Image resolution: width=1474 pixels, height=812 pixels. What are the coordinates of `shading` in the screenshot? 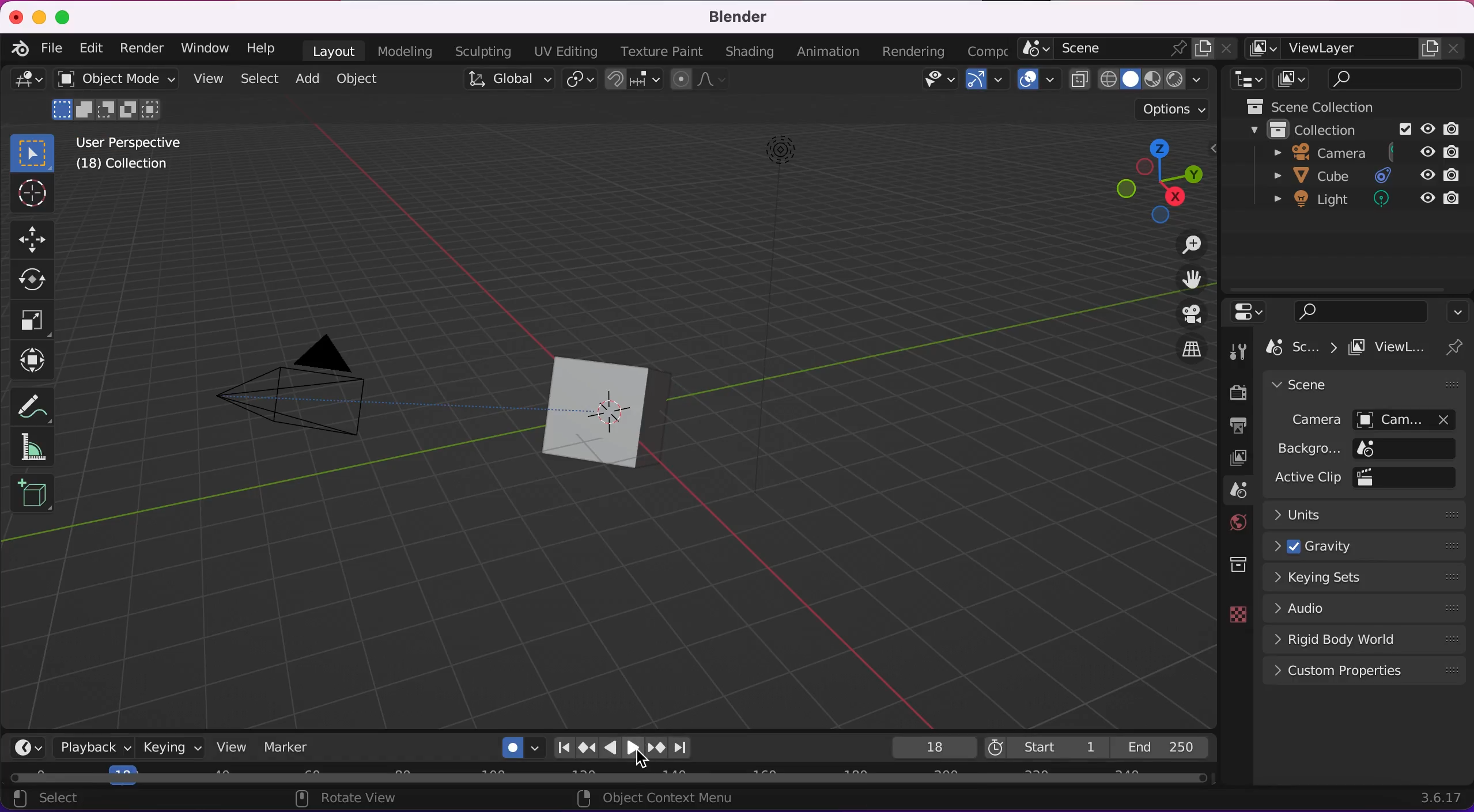 It's located at (750, 51).